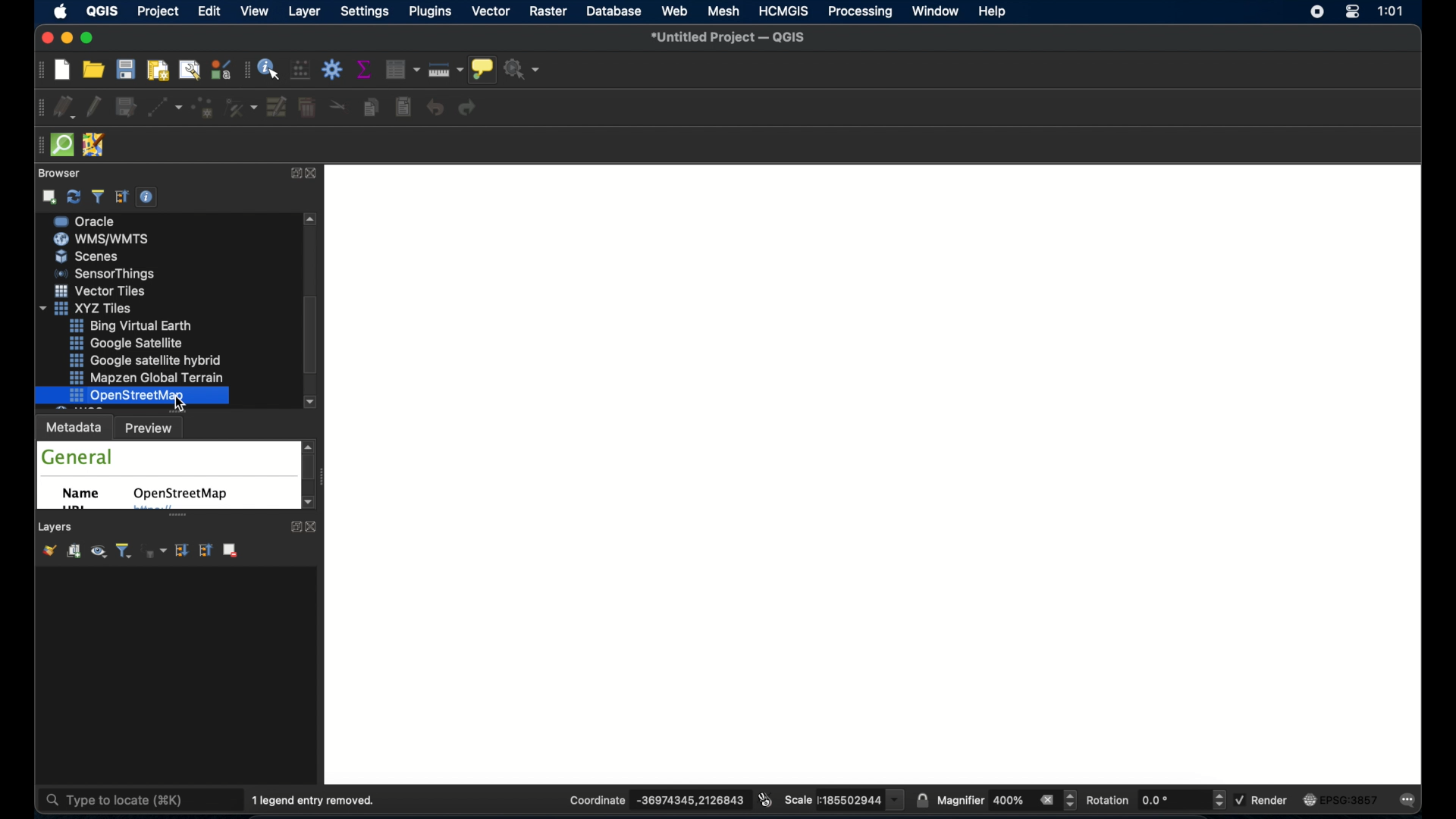 The height and width of the screenshot is (819, 1456). What do you see at coordinates (97, 552) in the screenshot?
I see `show map themes` at bounding box center [97, 552].